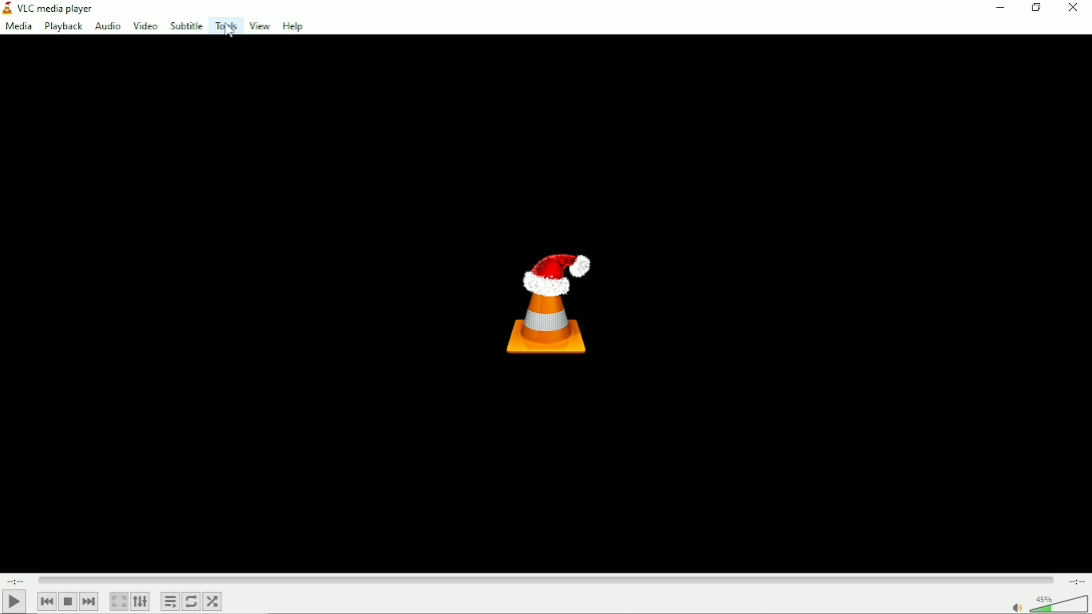 The width and height of the screenshot is (1092, 614). I want to click on Media, so click(18, 27).